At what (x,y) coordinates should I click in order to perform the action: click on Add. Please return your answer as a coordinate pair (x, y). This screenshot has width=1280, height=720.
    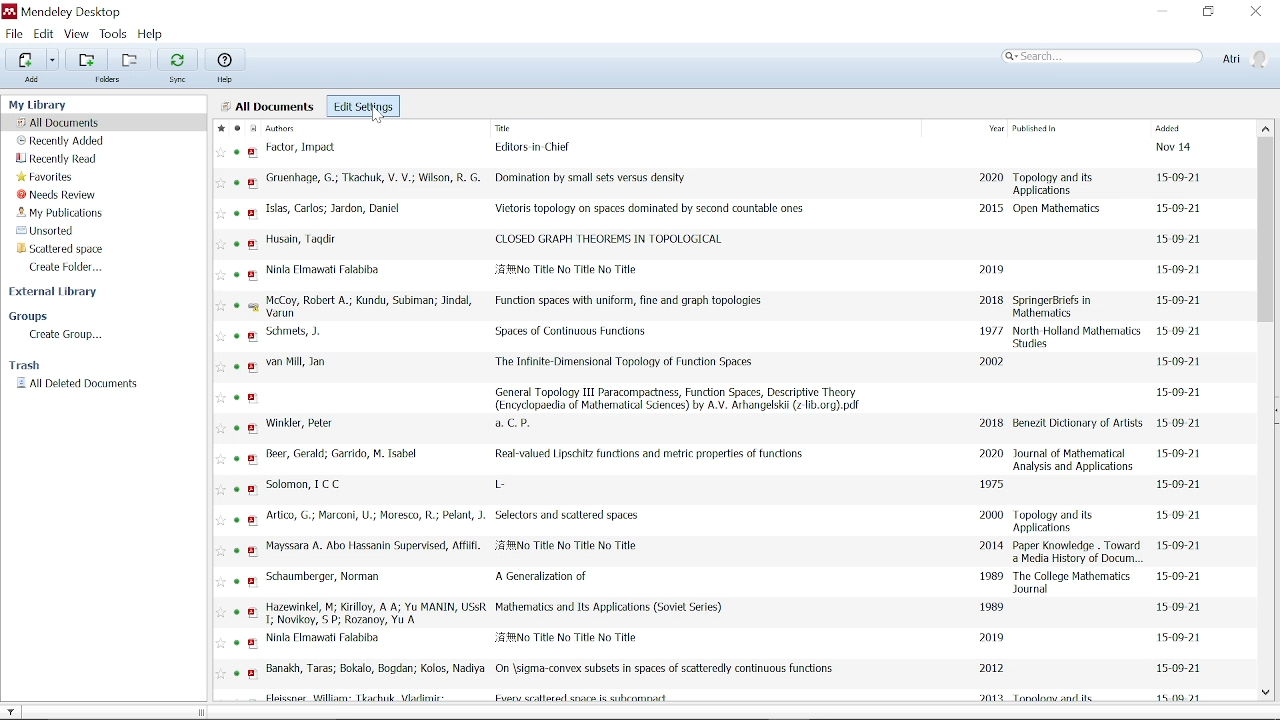
    Looking at the image, I should click on (34, 83).